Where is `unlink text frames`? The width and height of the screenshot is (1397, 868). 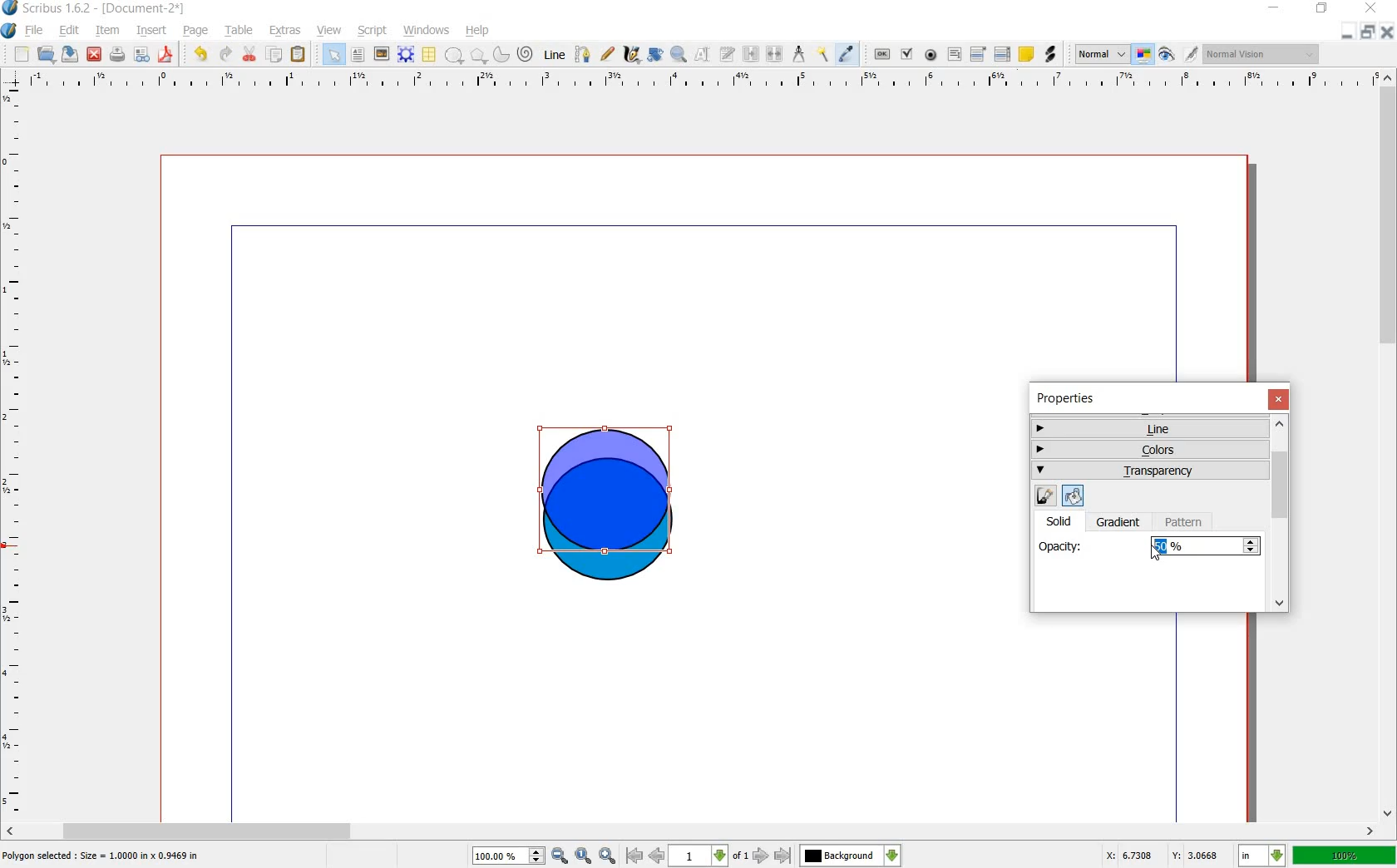 unlink text frames is located at coordinates (777, 55).